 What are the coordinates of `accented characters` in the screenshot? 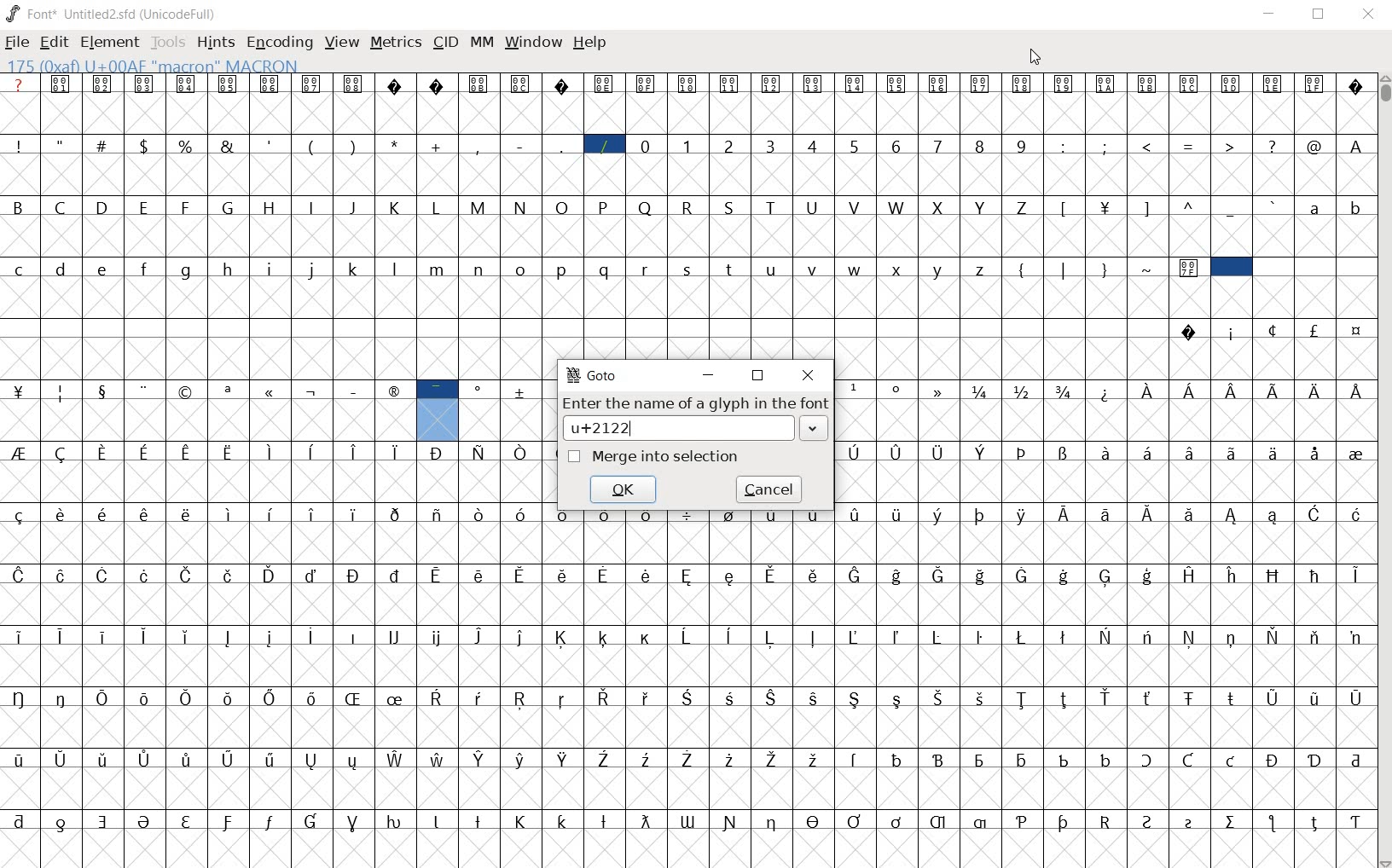 It's located at (873, 657).